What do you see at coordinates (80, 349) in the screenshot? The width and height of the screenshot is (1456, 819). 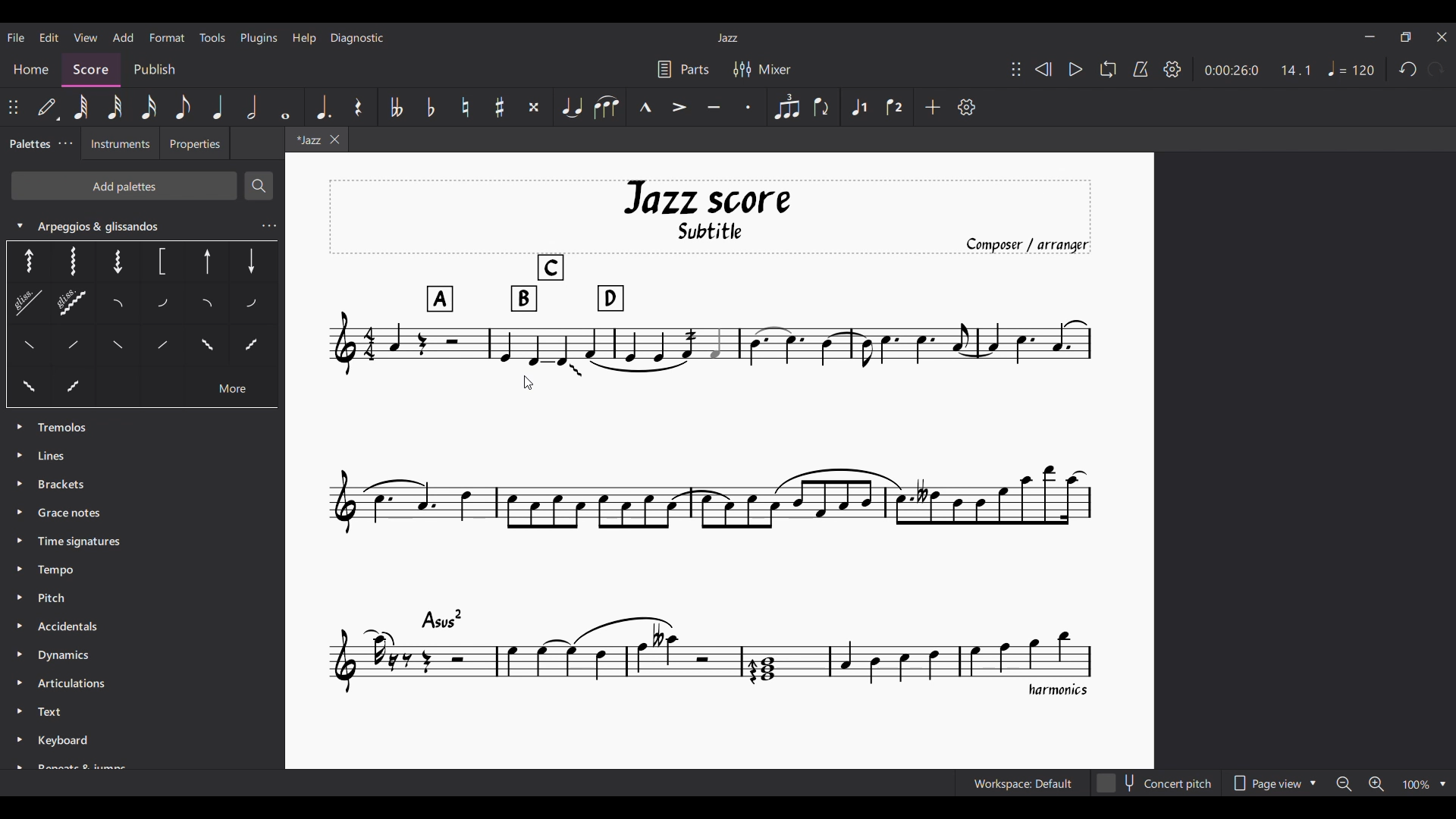 I see `Palate` at bounding box center [80, 349].